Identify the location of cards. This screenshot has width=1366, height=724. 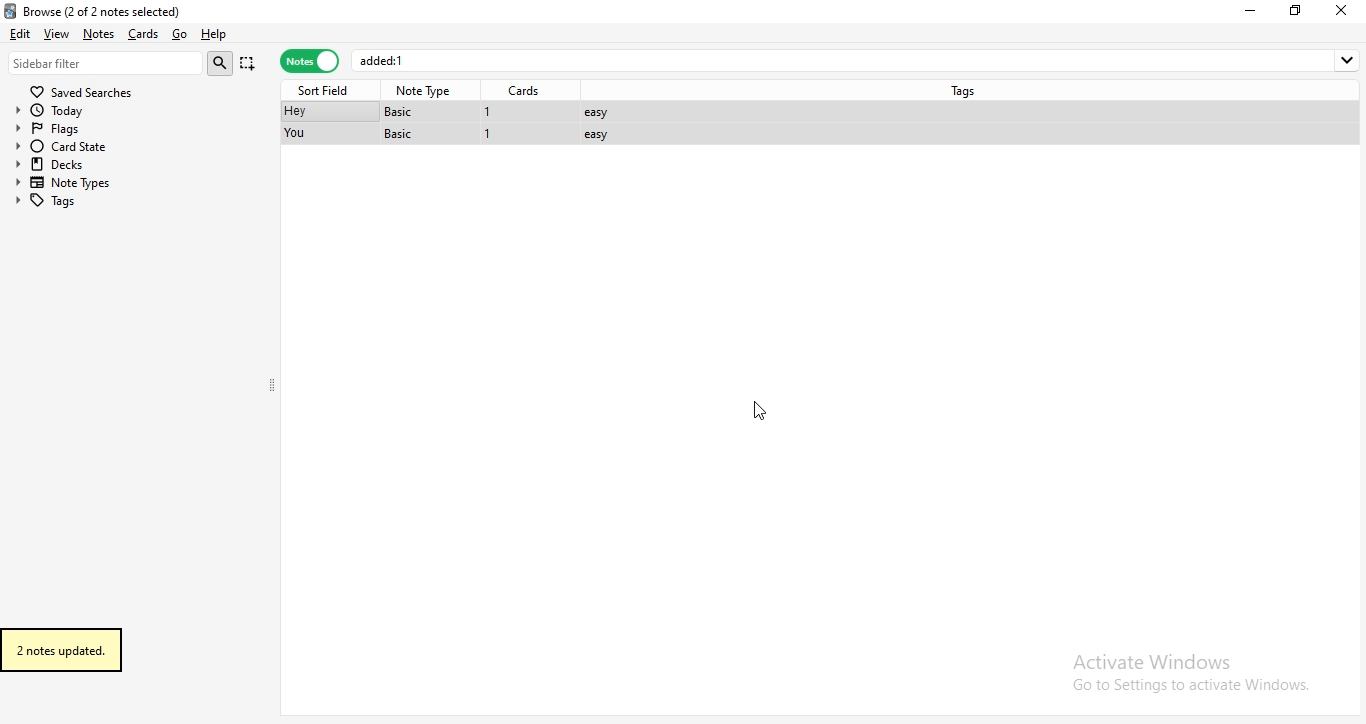
(528, 91).